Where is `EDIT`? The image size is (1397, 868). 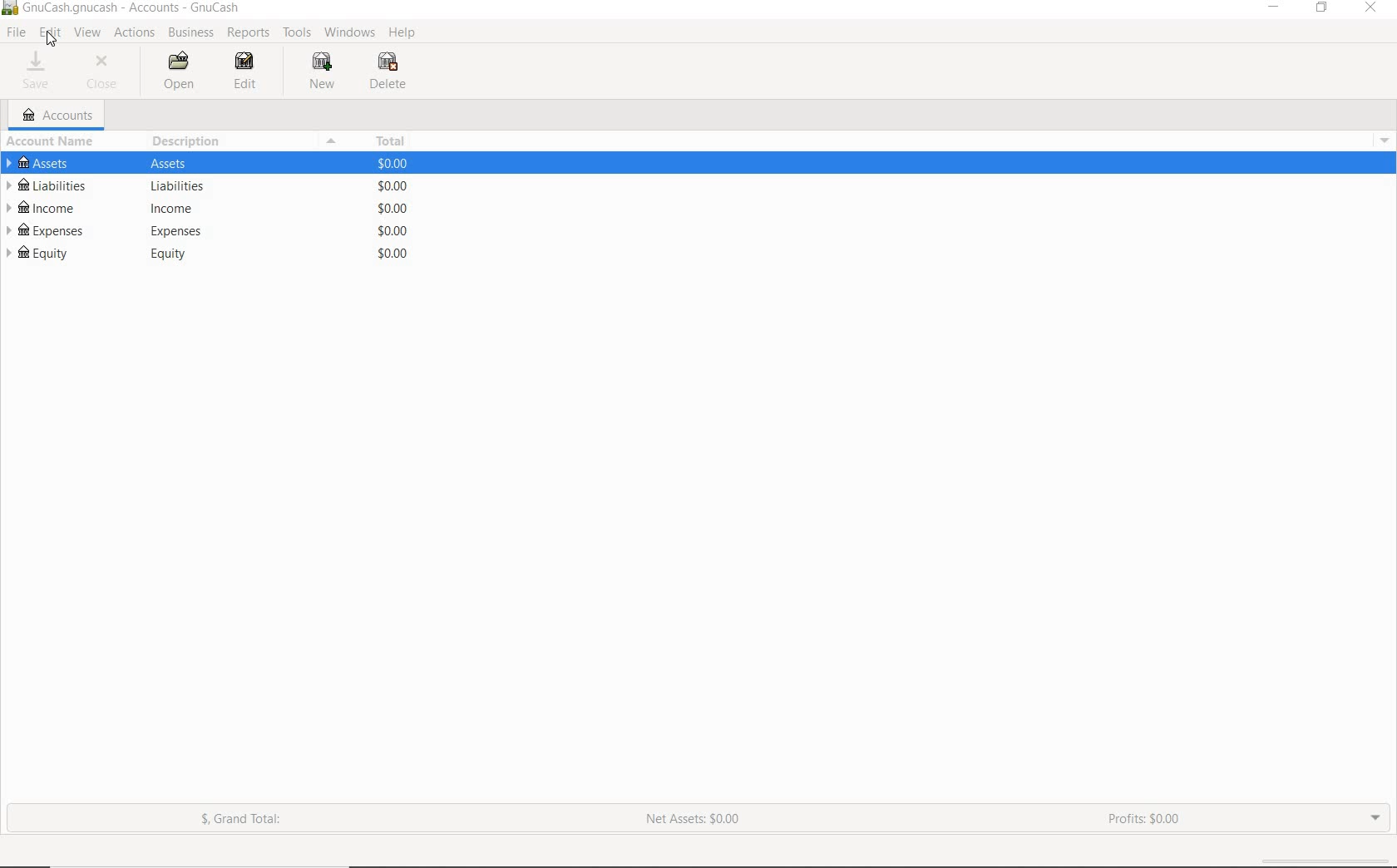 EDIT is located at coordinates (247, 72).